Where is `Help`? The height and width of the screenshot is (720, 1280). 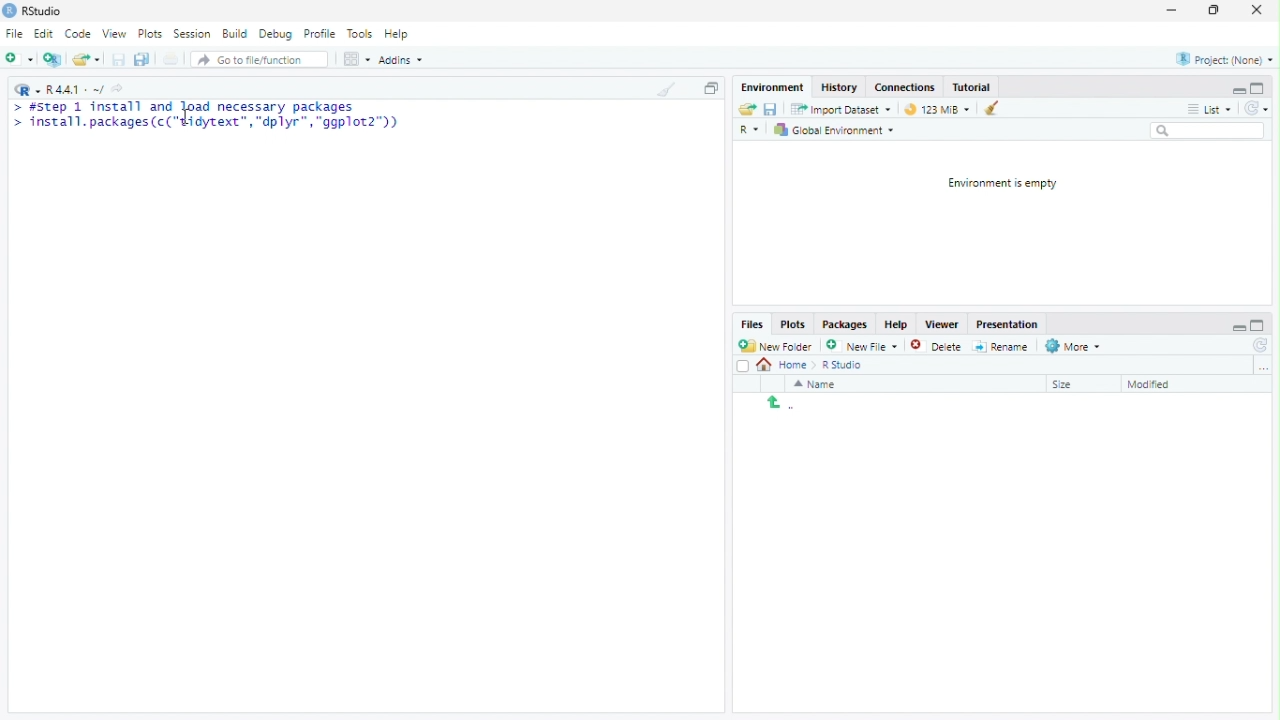 Help is located at coordinates (897, 323).